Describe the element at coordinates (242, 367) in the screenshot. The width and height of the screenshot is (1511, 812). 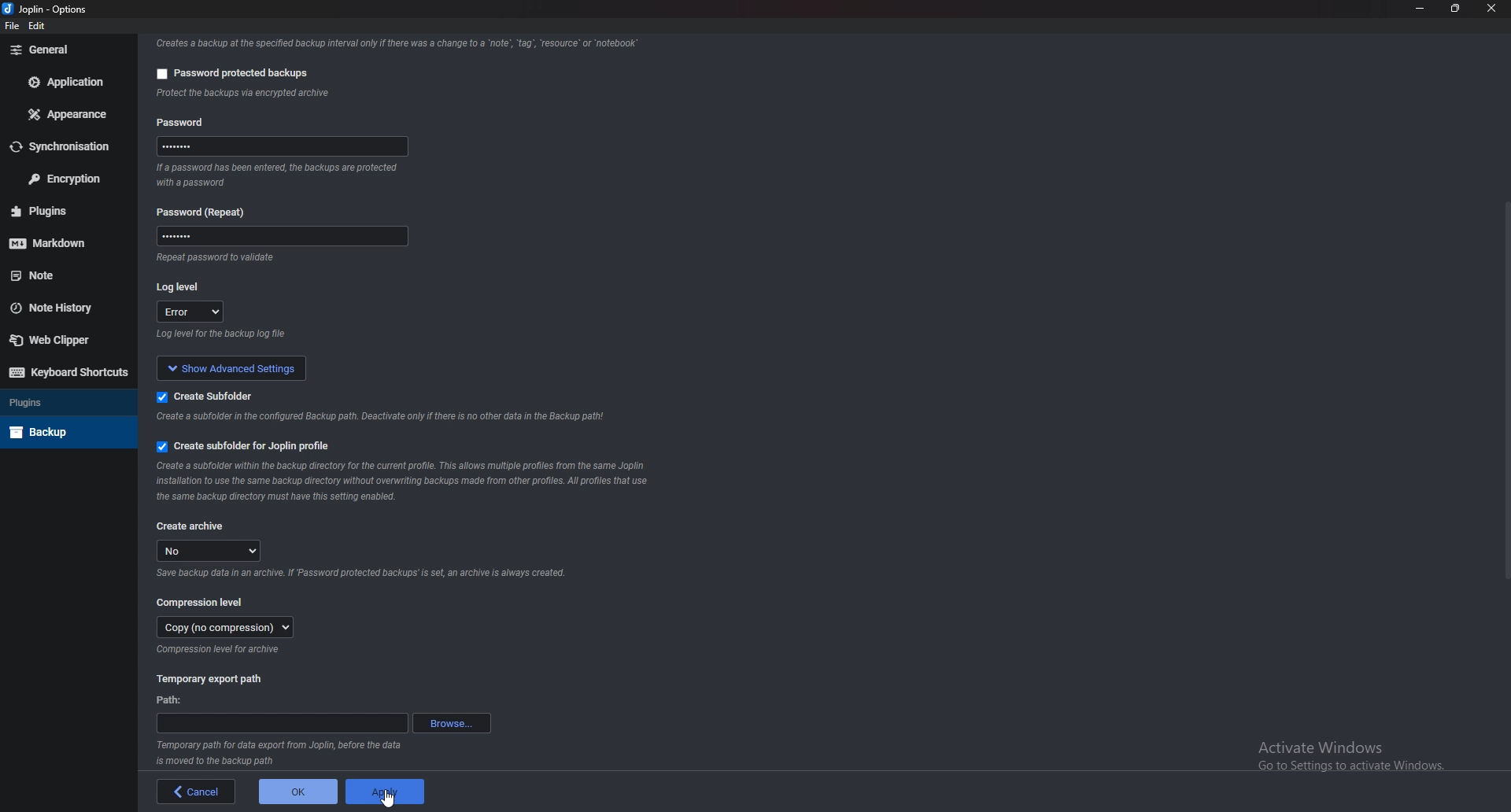
I see `show advanced setting` at that location.